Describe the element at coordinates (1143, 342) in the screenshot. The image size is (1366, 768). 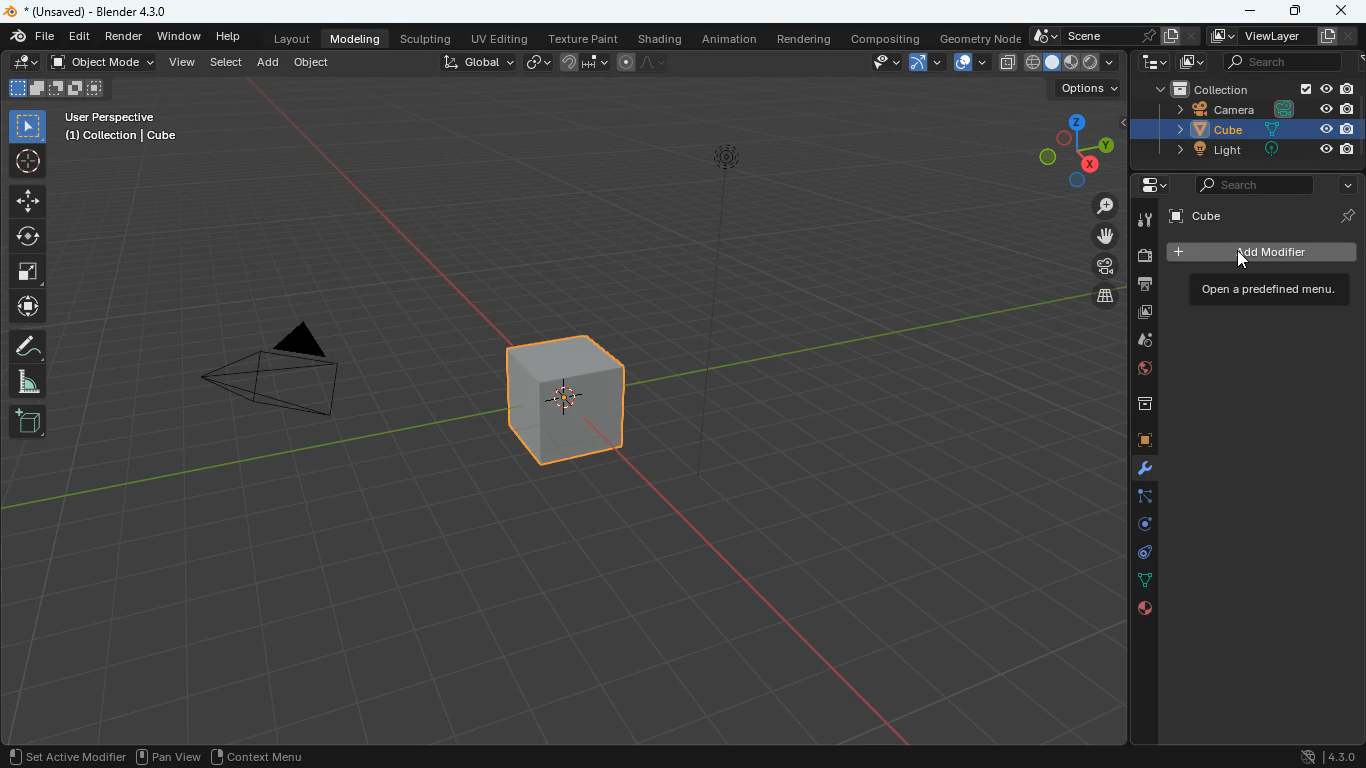
I see `drop` at that location.